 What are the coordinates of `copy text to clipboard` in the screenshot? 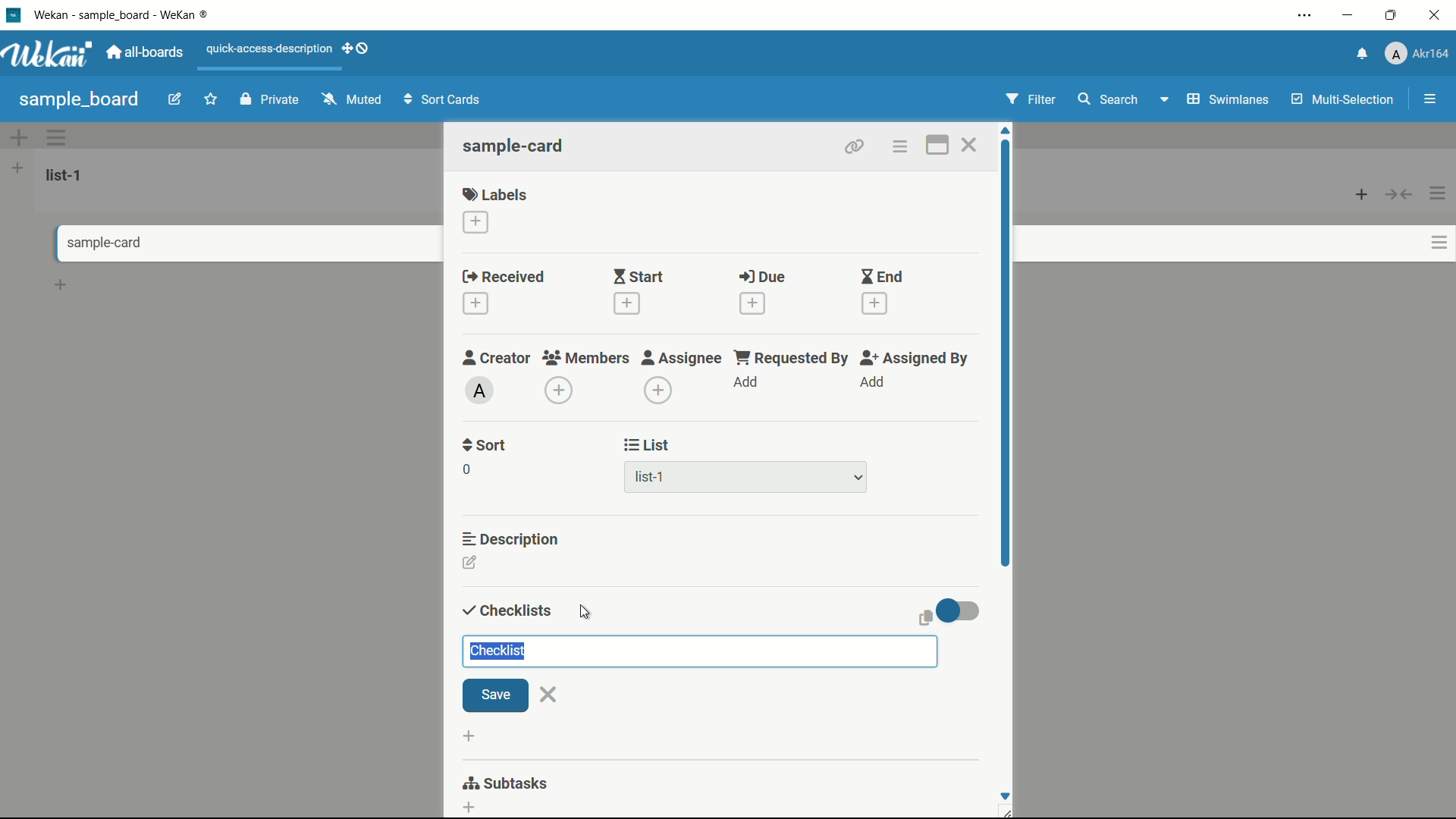 It's located at (921, 617).